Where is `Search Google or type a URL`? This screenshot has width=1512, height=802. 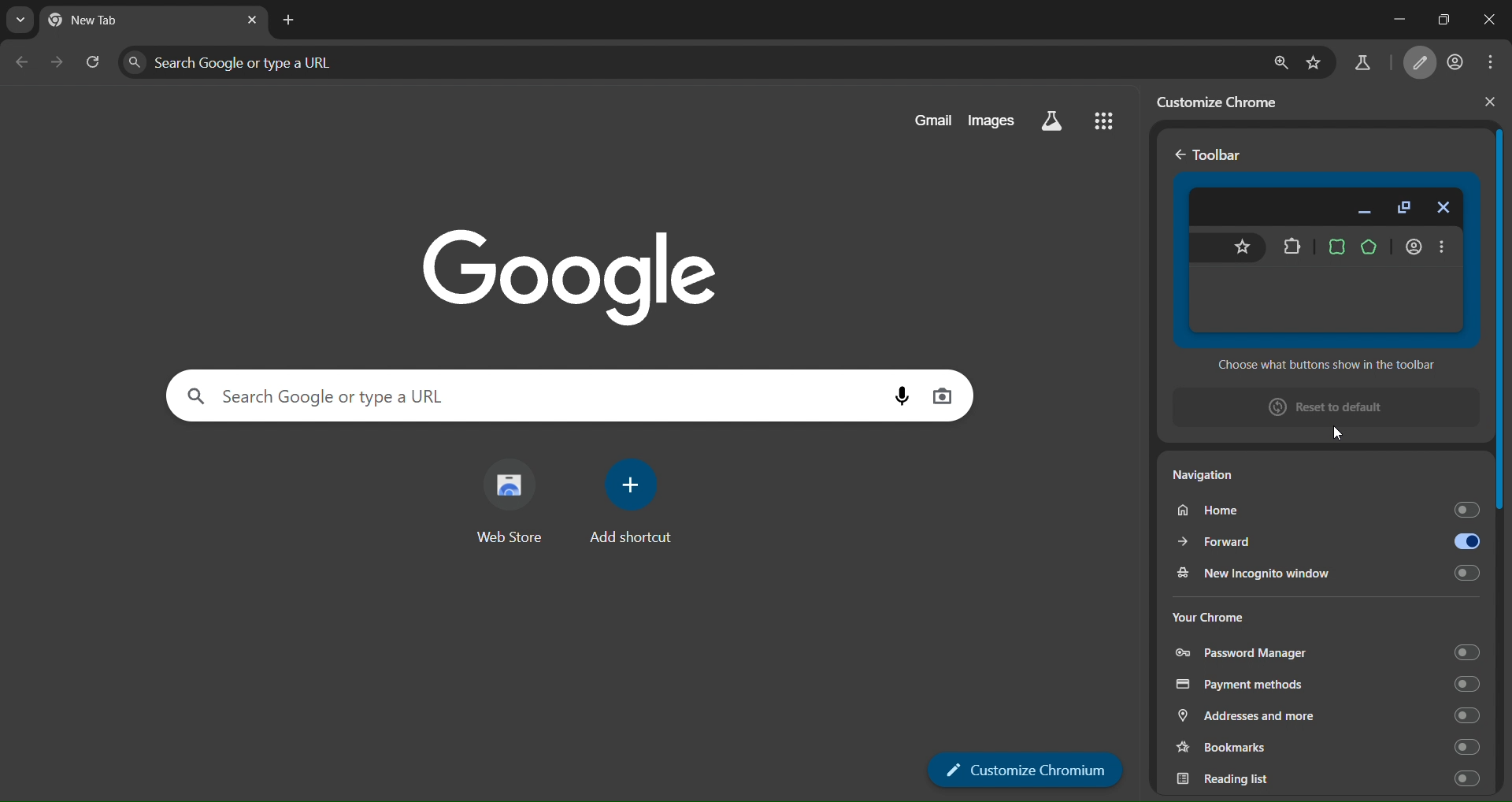 Search Google or type a URL is located at coordinates (695, 63).